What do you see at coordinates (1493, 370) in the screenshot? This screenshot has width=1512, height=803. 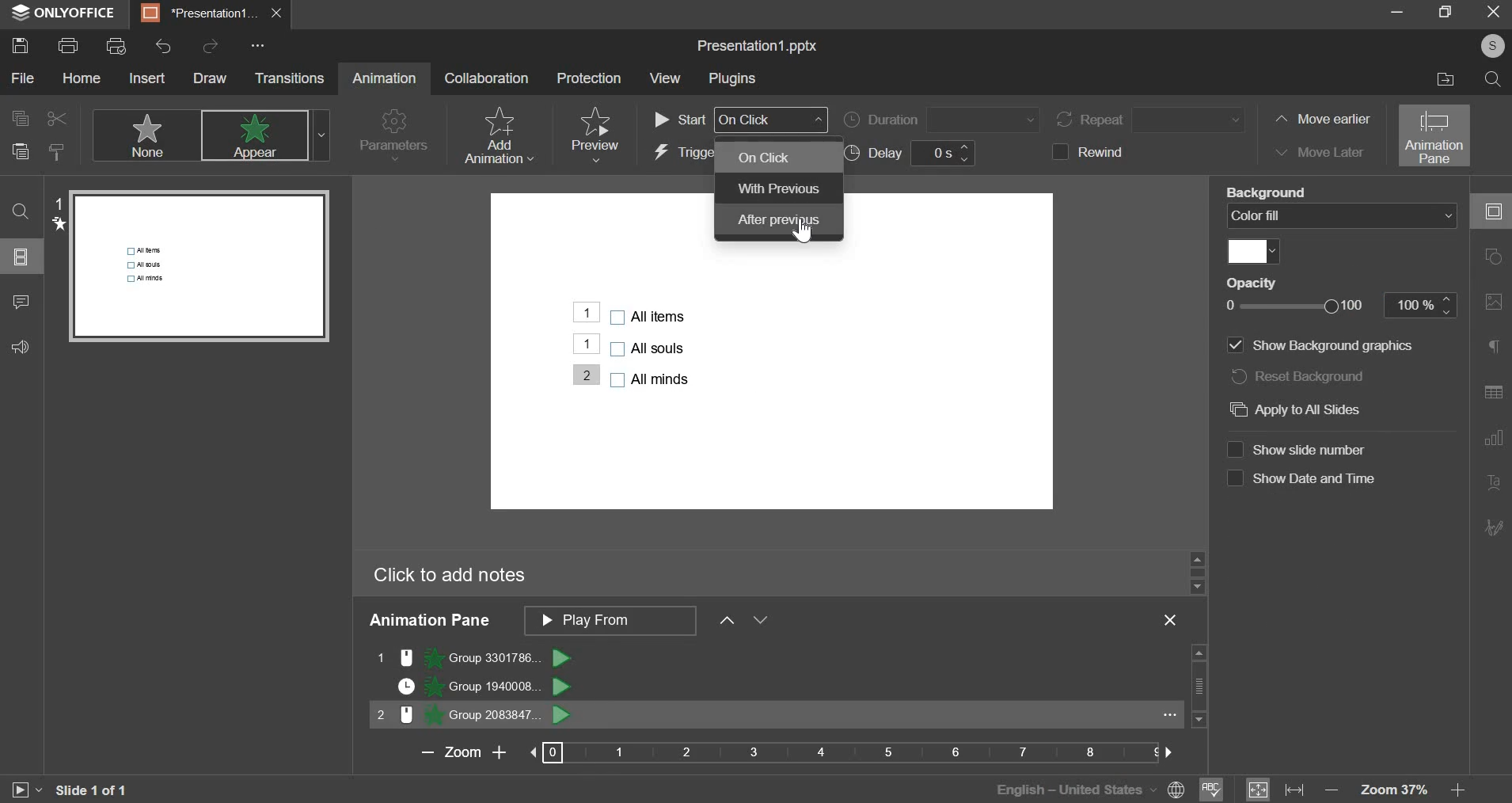 I see `right side bar` at bounding box center [1493, 370].